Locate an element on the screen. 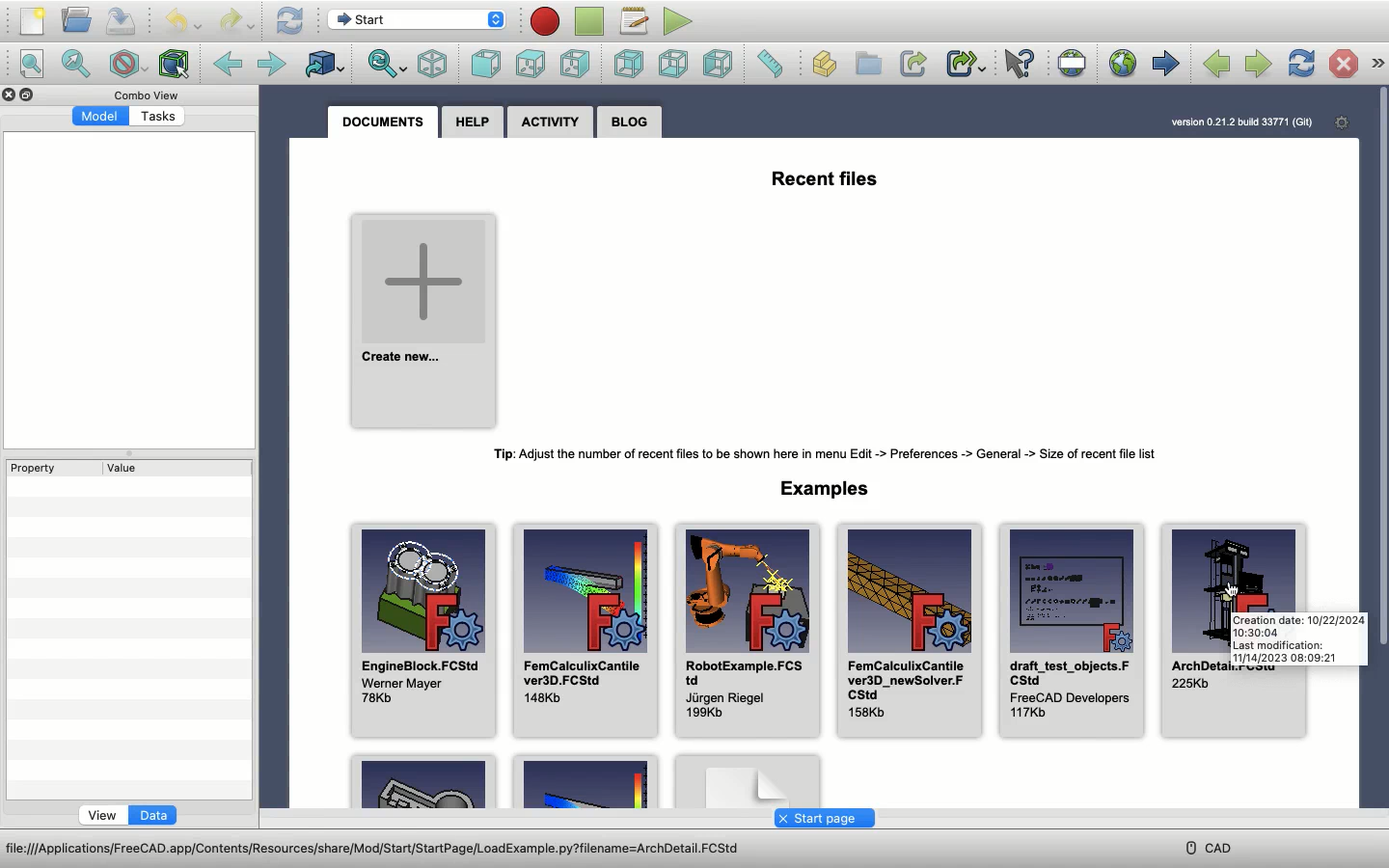 Image resolution: width=1389 pixels, height=868 pixels. Scroll is located at coordinates (1380, 367).